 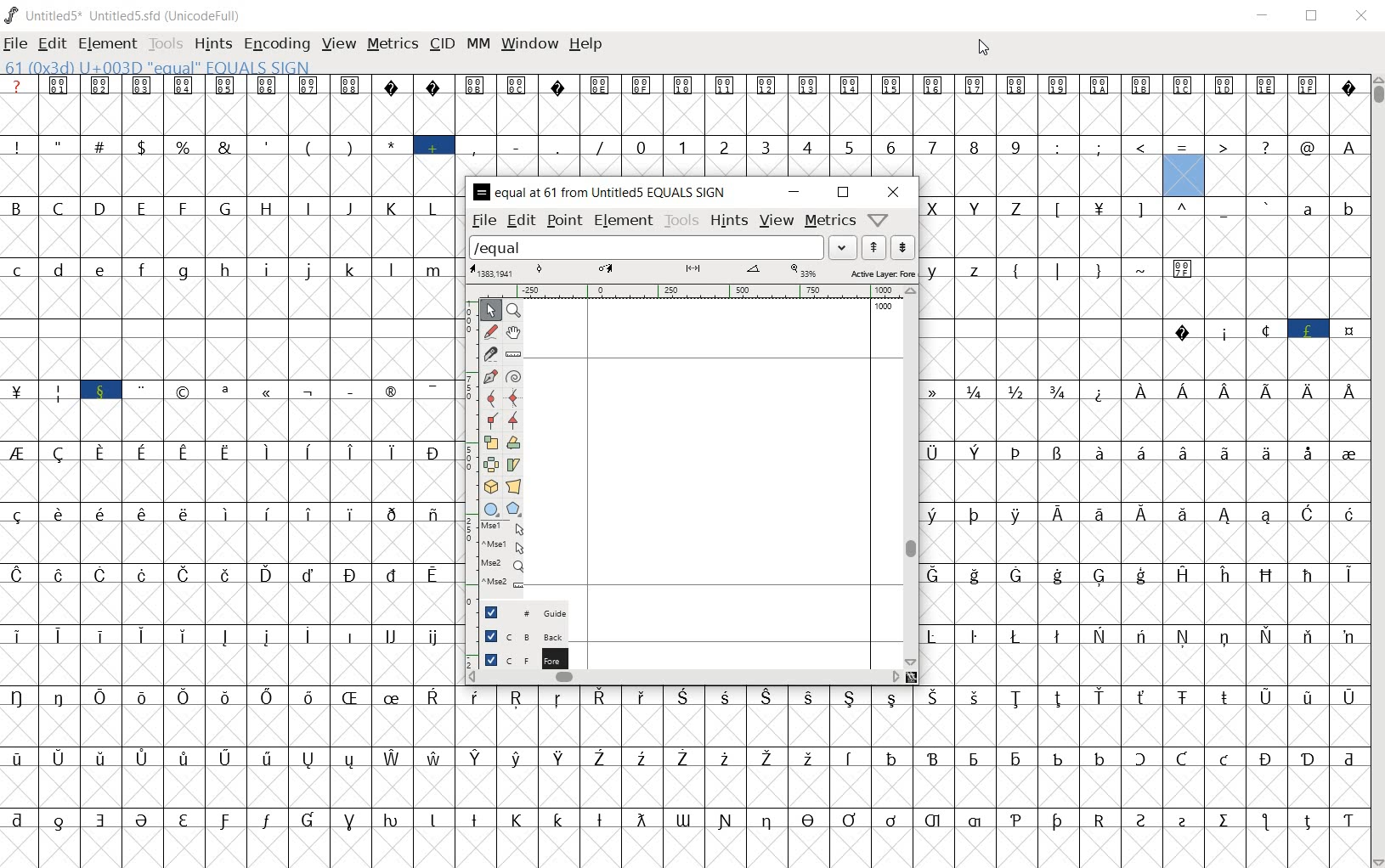 What do you see at coordinates (1184, 169) in the screenshot?
I see `61(0x3d) U+003D "EQUAL" EQUALS SIGN` at bounding box center [1184, 169].